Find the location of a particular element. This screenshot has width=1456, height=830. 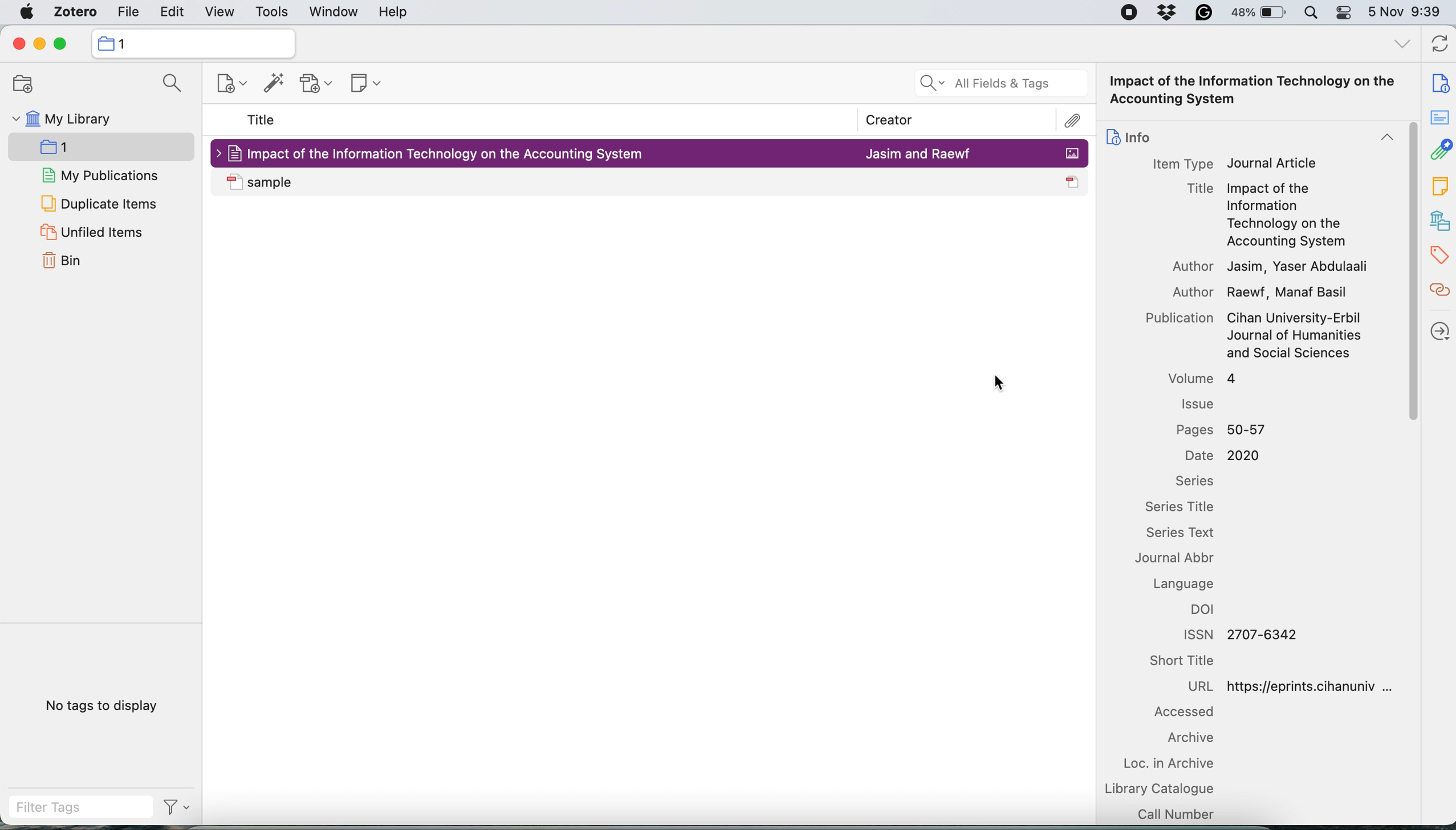

5 Nov 9:39 is located at coordinates (1406, 11).